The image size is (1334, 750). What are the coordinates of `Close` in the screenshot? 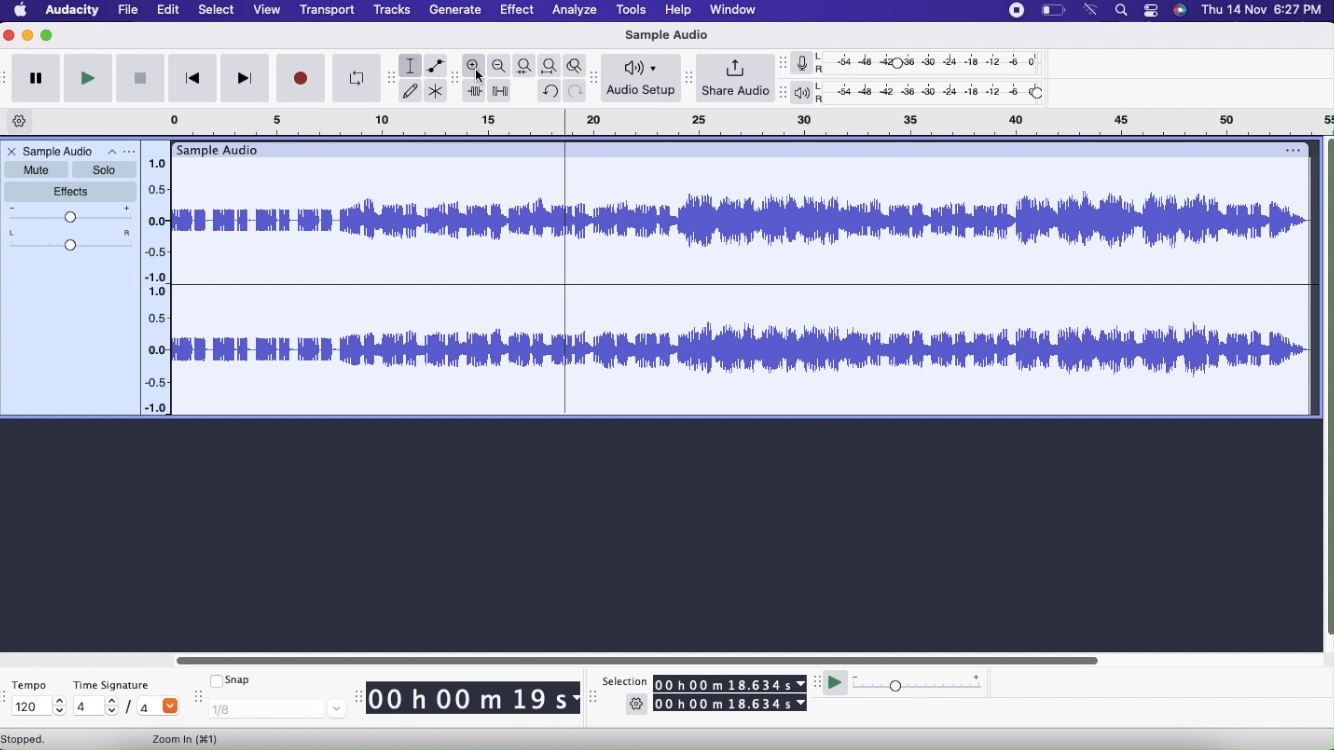 It's located at (9, 37).